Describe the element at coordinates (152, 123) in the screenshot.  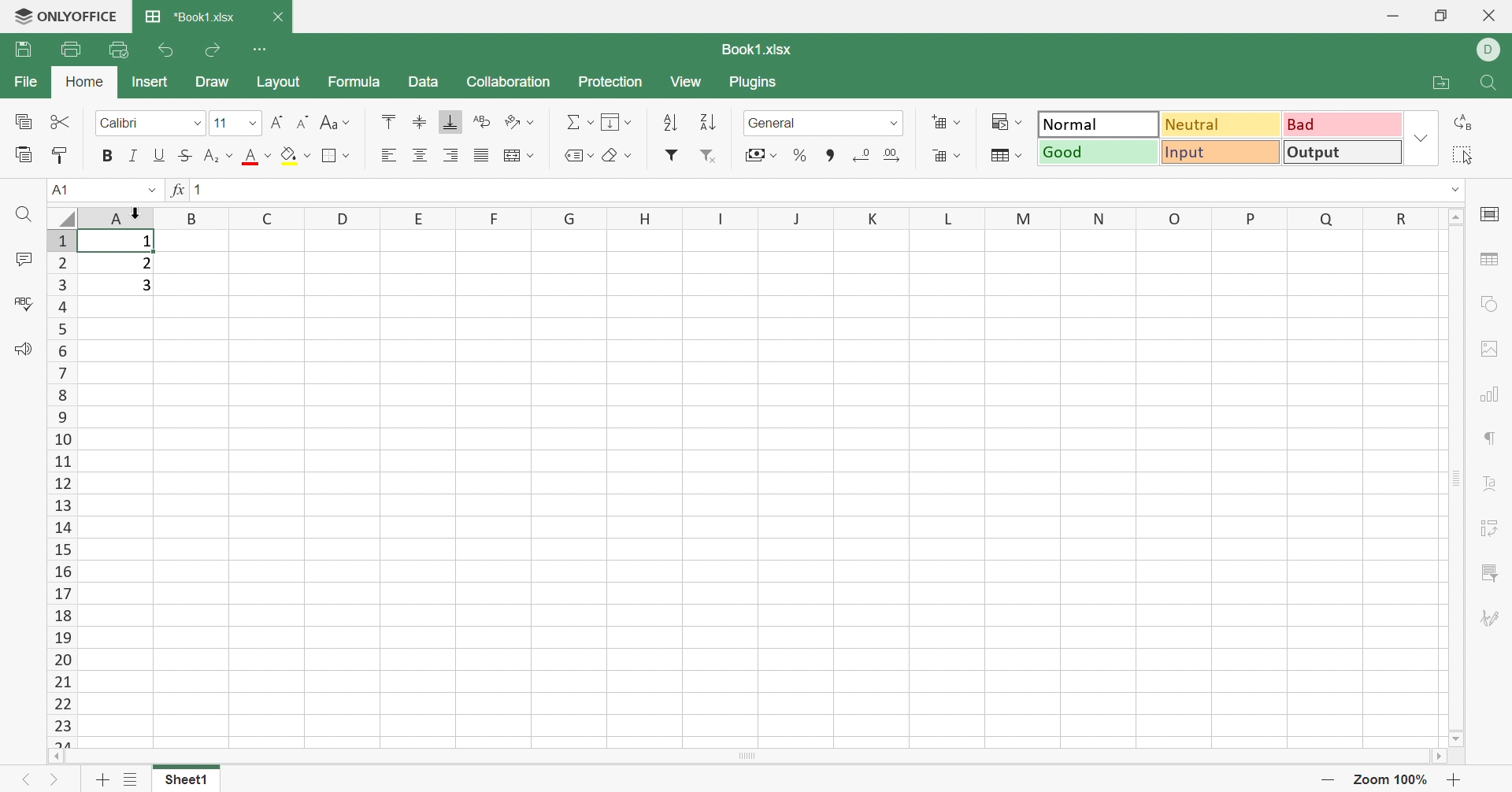
I see `Font` at that location.